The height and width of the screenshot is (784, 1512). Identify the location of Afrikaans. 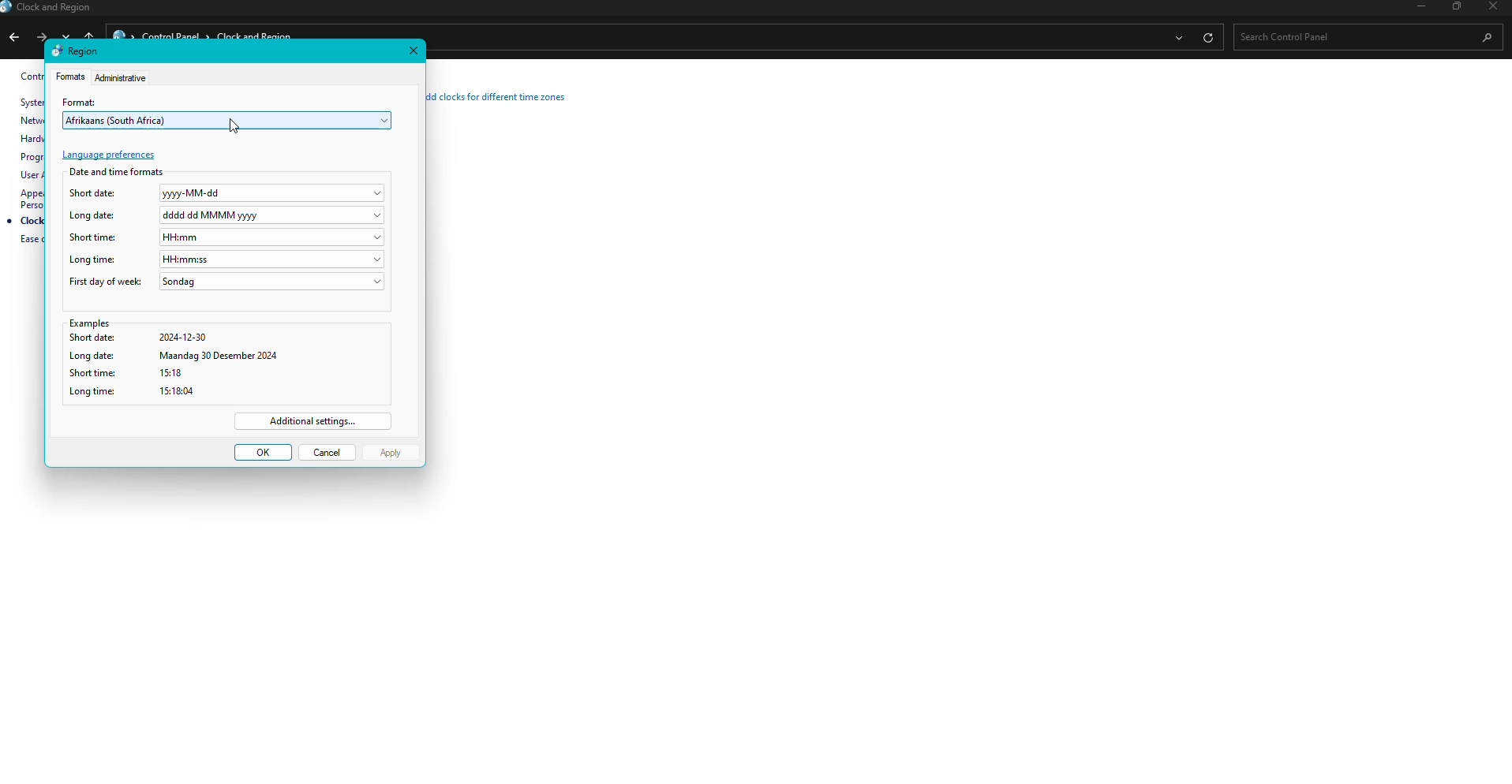
(230, 121).